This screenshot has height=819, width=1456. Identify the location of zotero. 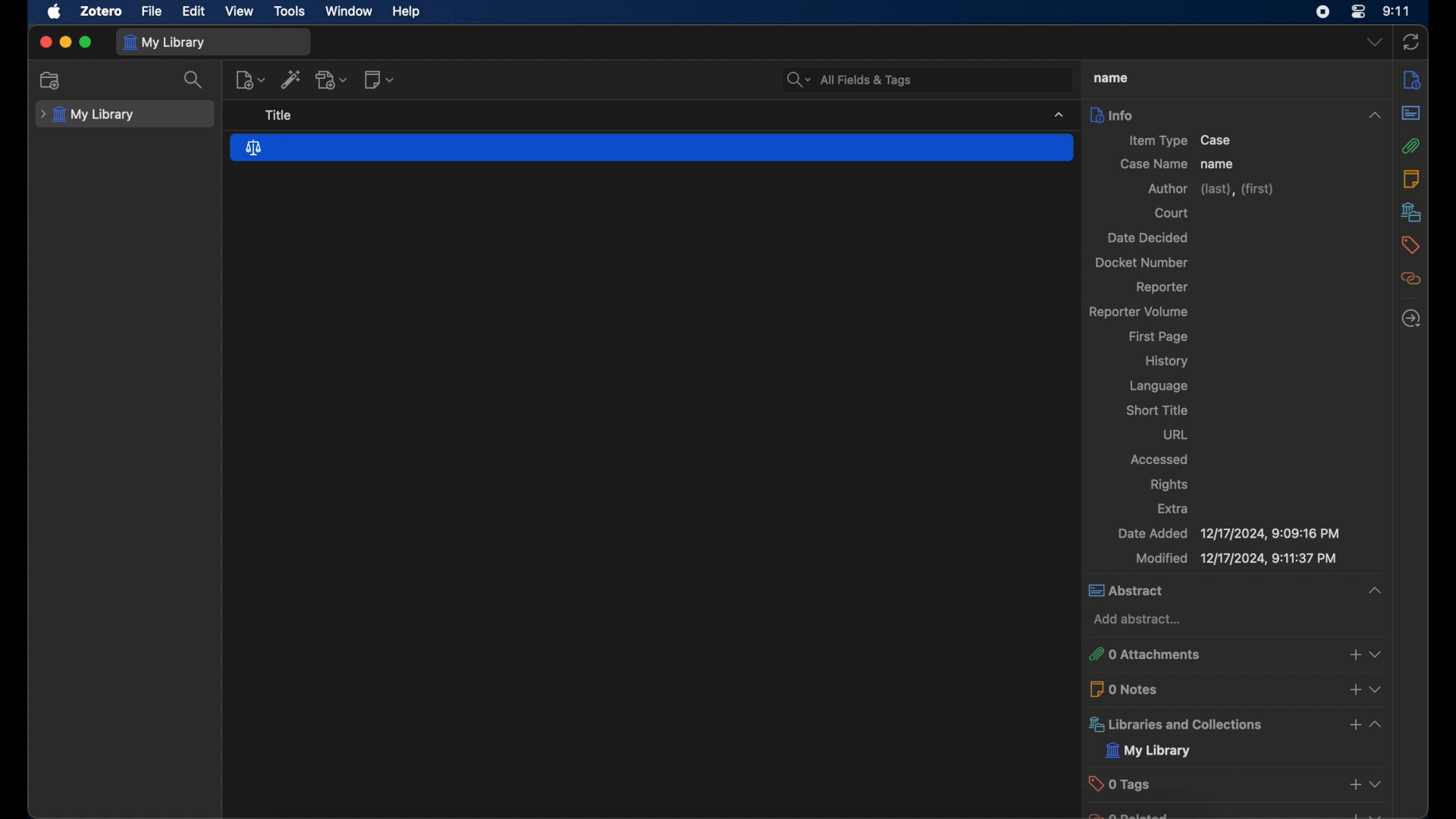
(102, 11).